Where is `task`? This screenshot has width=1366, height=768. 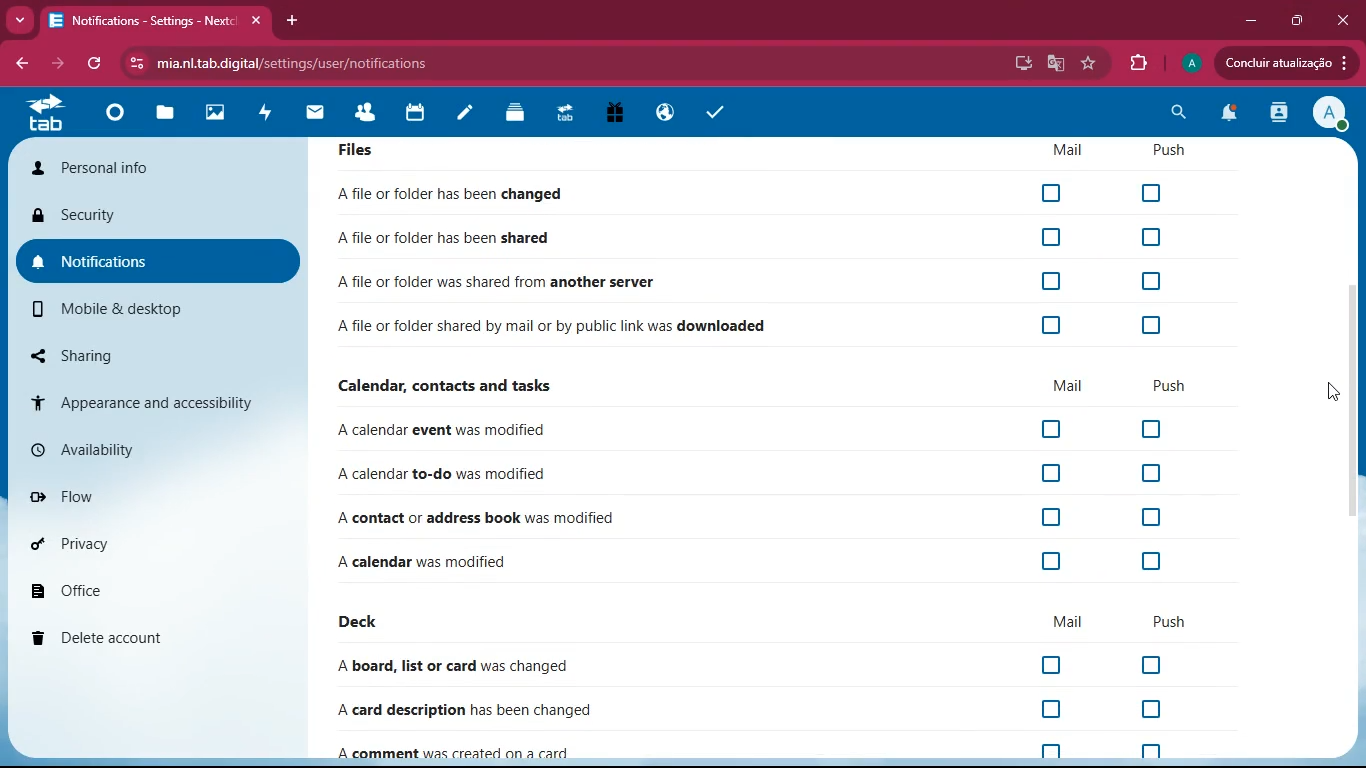 task is located at coordinates (716, 113).